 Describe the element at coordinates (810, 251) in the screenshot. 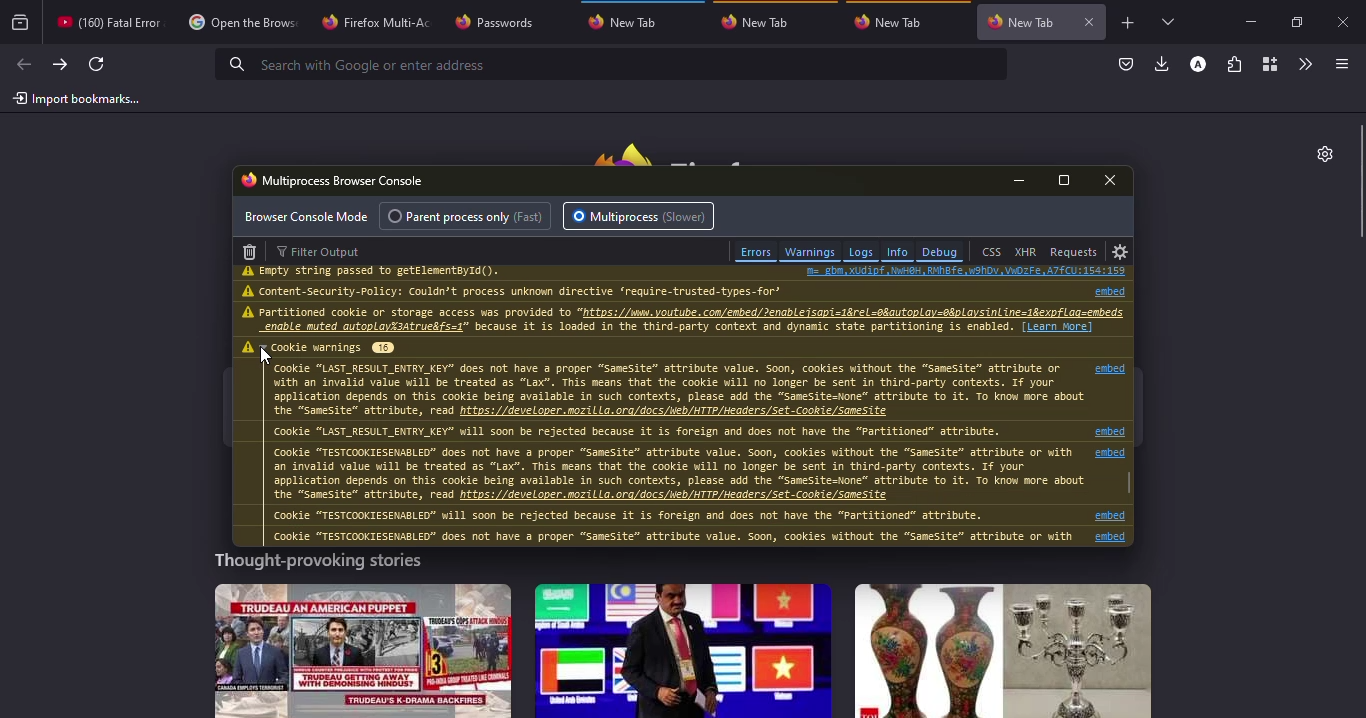

I see `warnings` at that location.